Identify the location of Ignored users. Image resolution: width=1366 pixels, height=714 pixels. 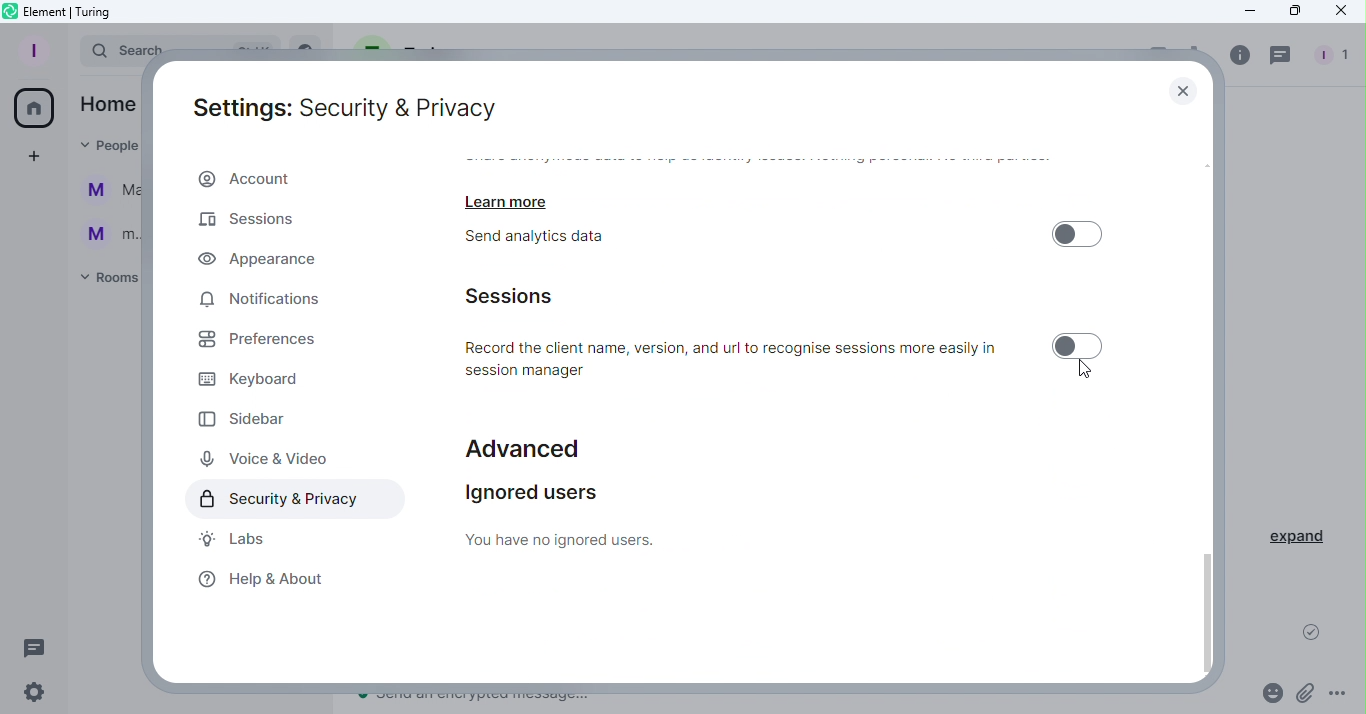
(572, 514).